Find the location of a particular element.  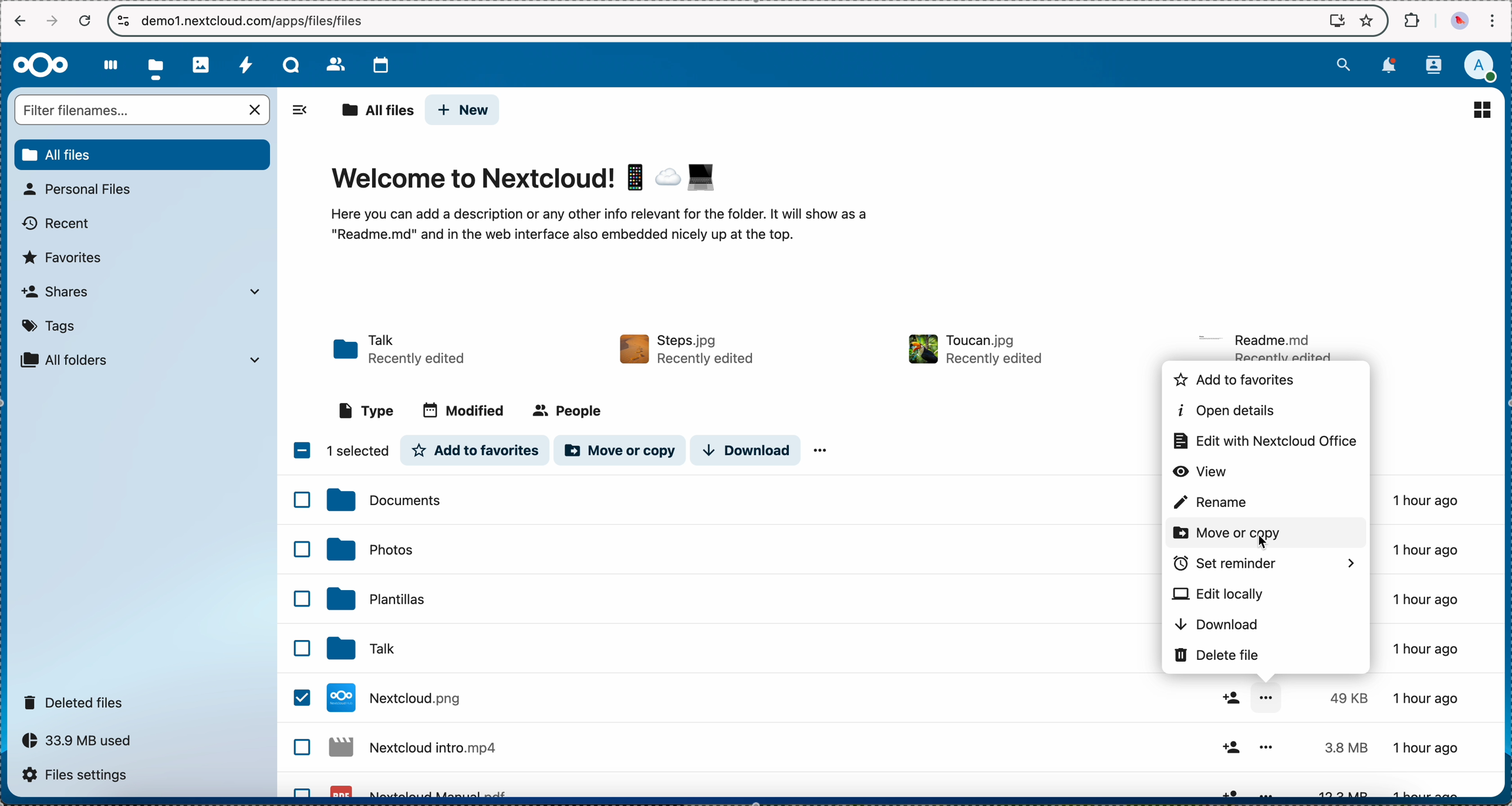

set reminder is located at coordinates (1267, 563).